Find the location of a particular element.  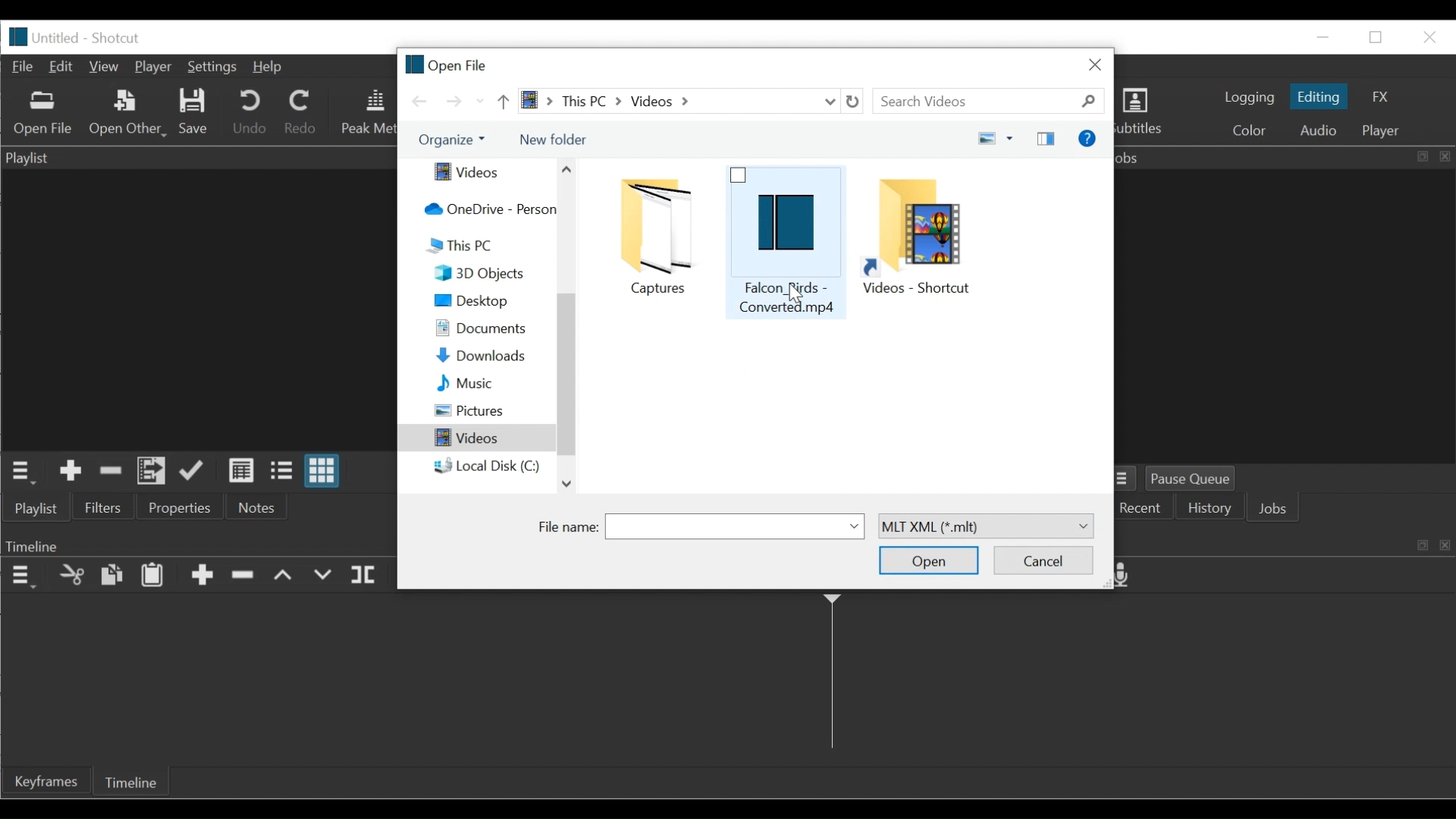

MLT XML (*.mlt) is located at coordinates (984, 527).